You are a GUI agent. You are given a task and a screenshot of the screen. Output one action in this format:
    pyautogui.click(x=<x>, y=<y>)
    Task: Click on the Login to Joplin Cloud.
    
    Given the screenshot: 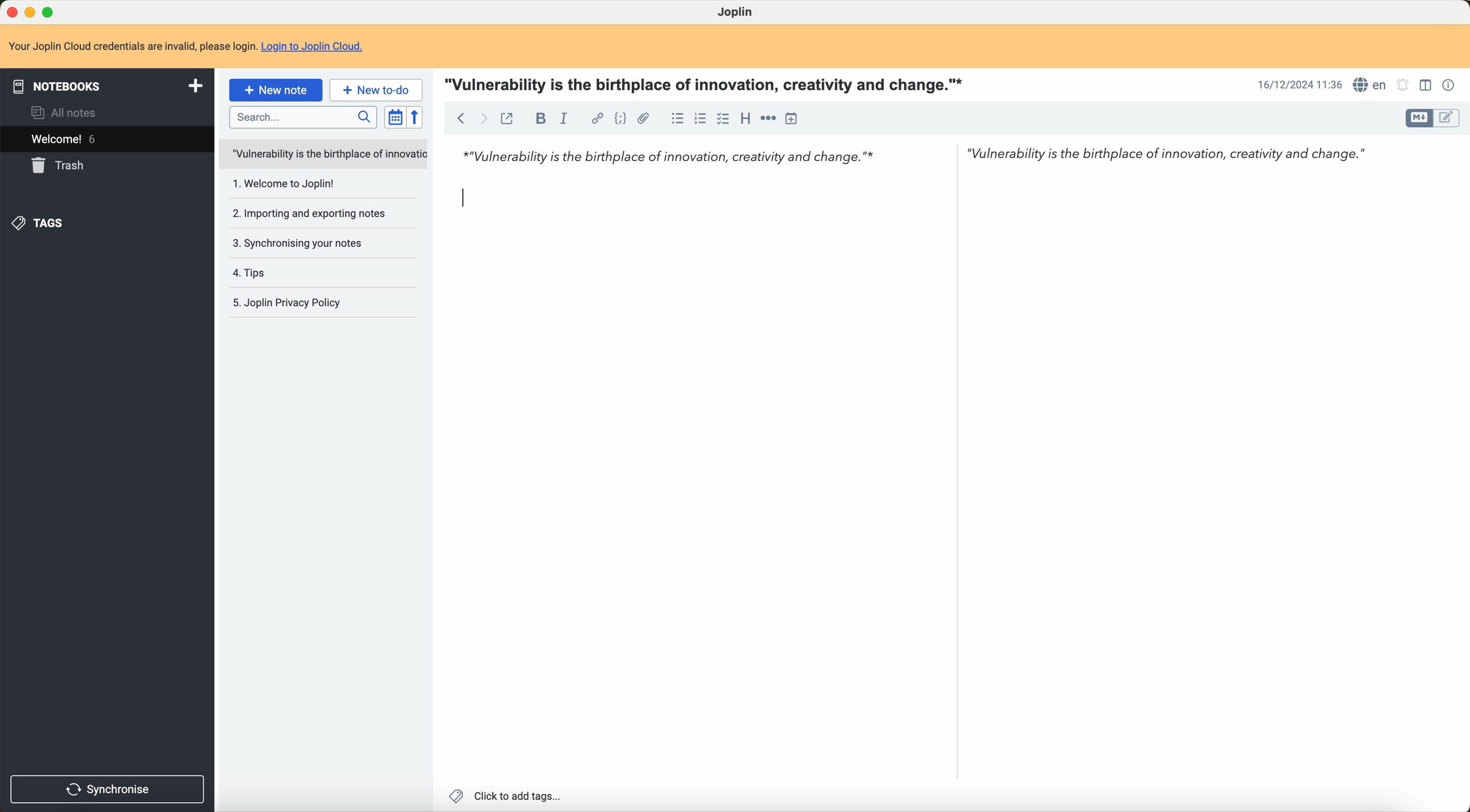 What is the action you would take?
    pyautogui.click(x=319, y=47)
    